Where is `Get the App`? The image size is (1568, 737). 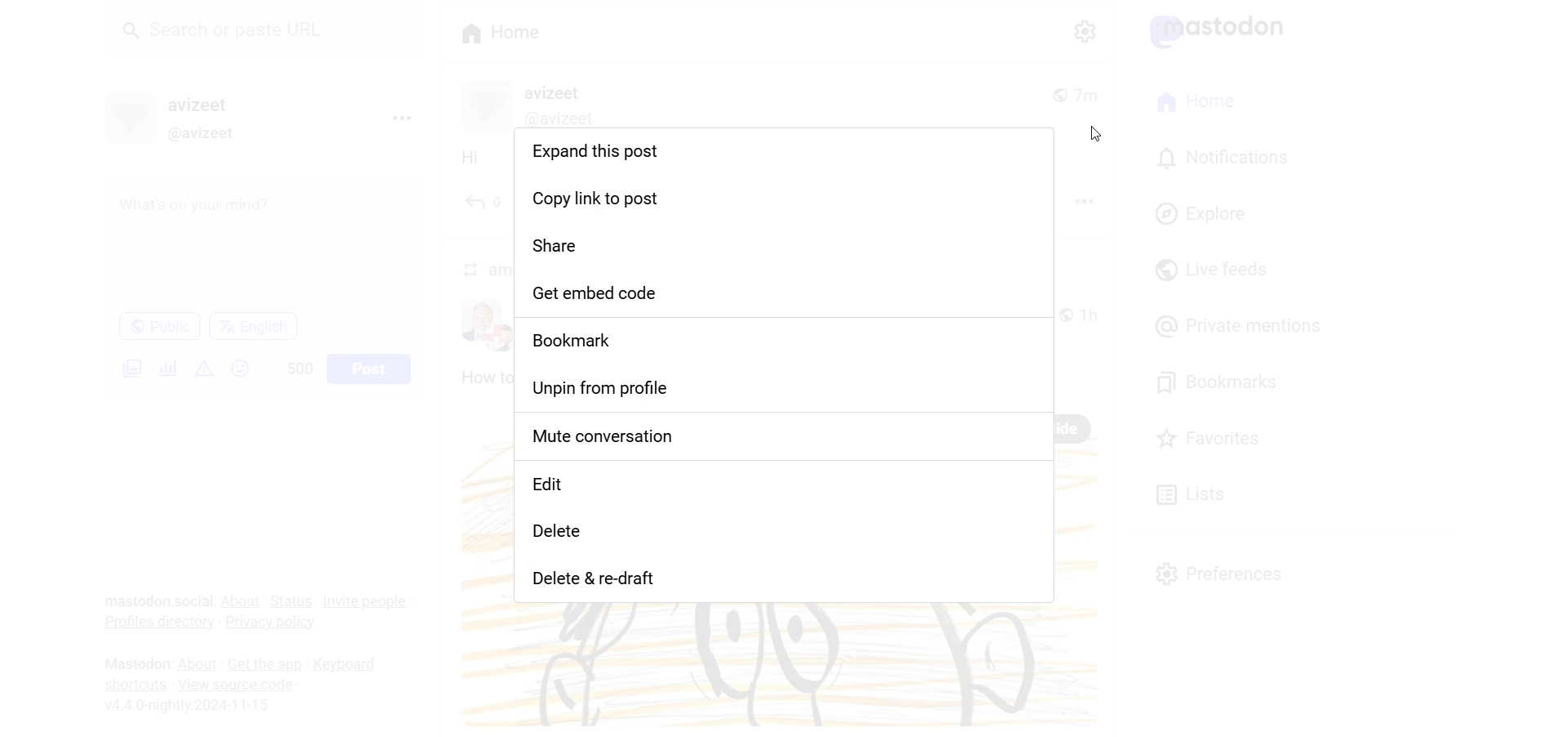
Get the App is located at coordinates (264, 665).